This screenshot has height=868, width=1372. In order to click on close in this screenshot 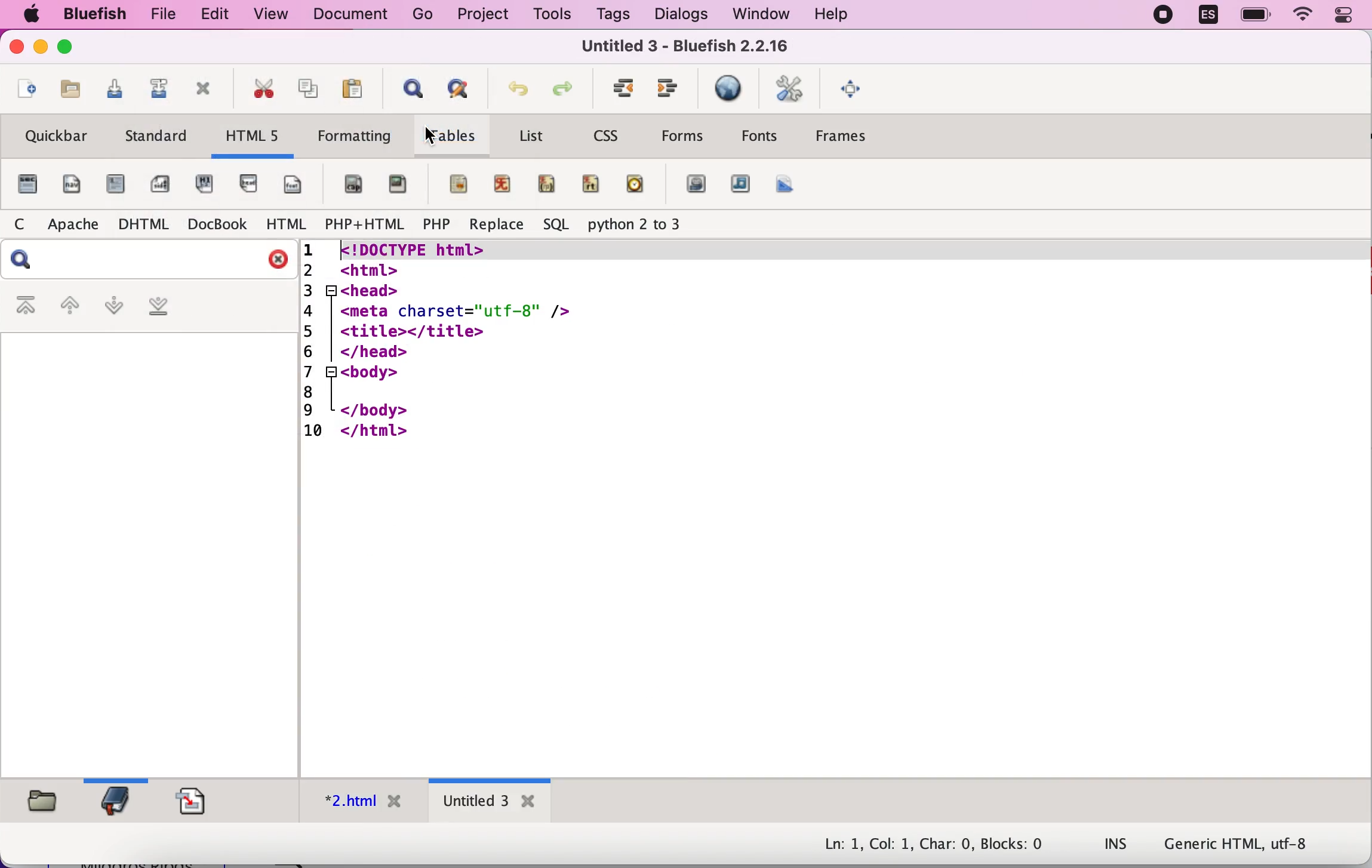, I will do `click(17, 48)`.